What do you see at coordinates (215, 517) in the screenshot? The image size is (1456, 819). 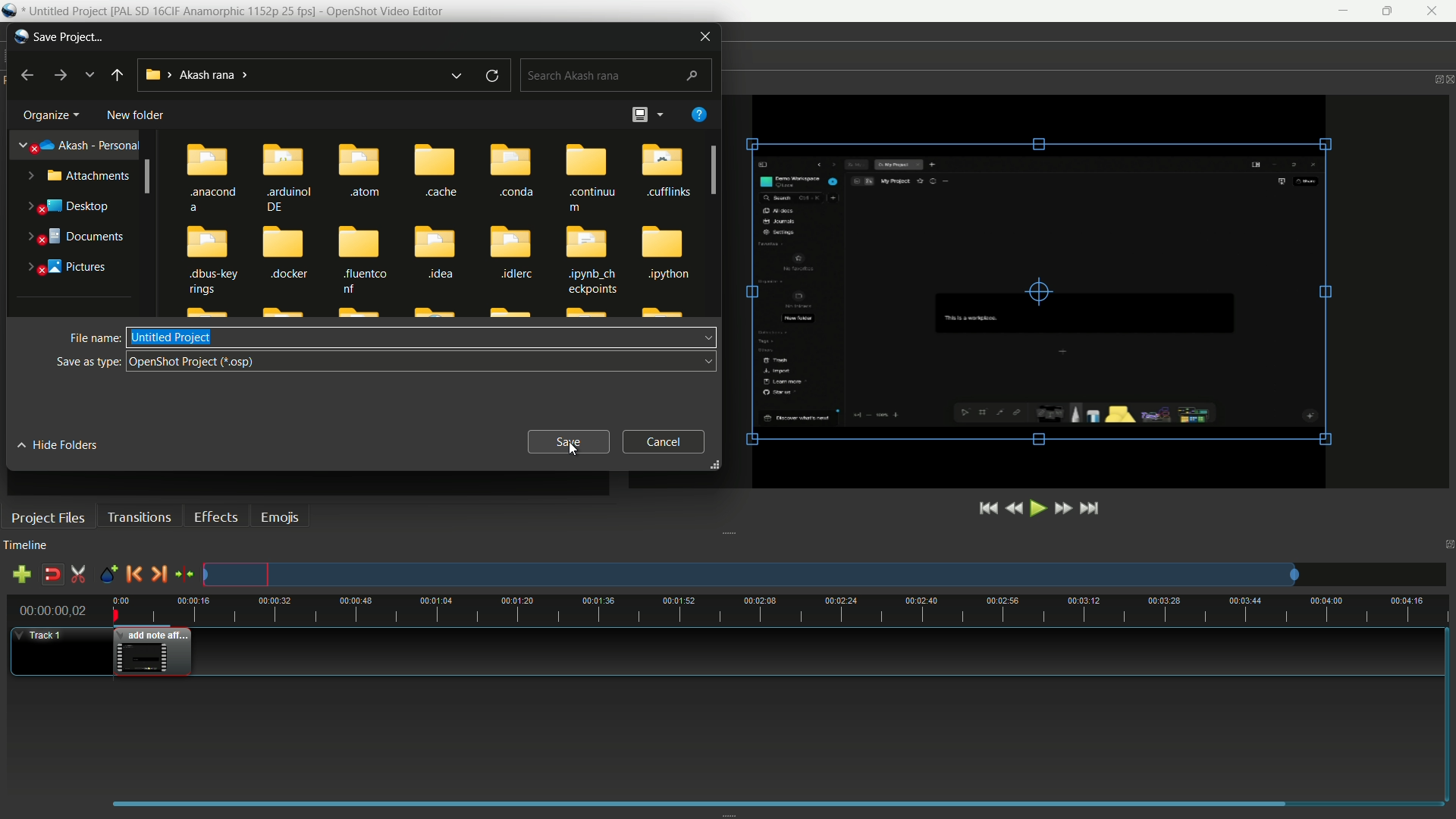 I see `effects` at bounding box center [215, 517].